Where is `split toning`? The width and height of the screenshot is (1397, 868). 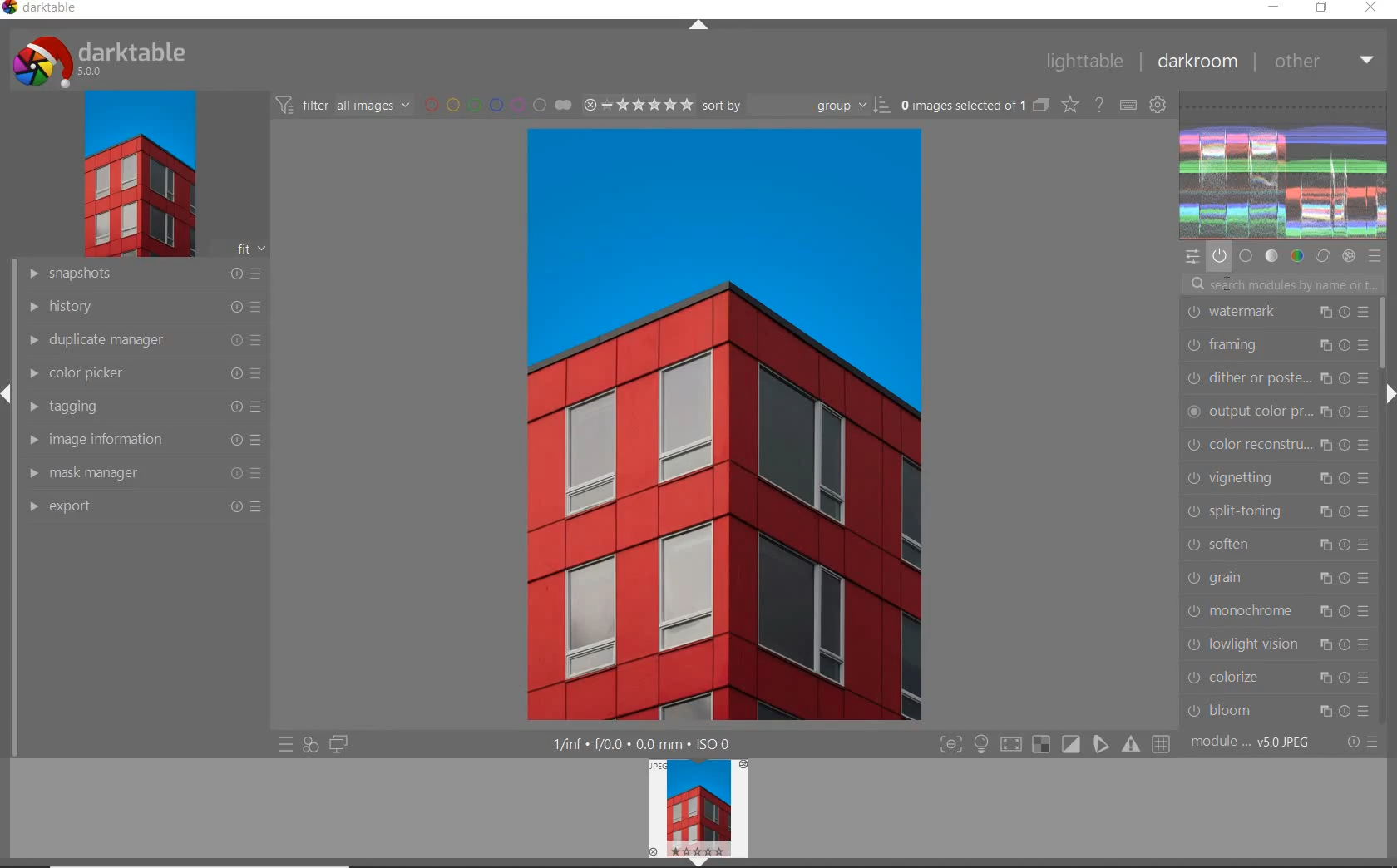
split toning is located at coordinates (1279, 510).